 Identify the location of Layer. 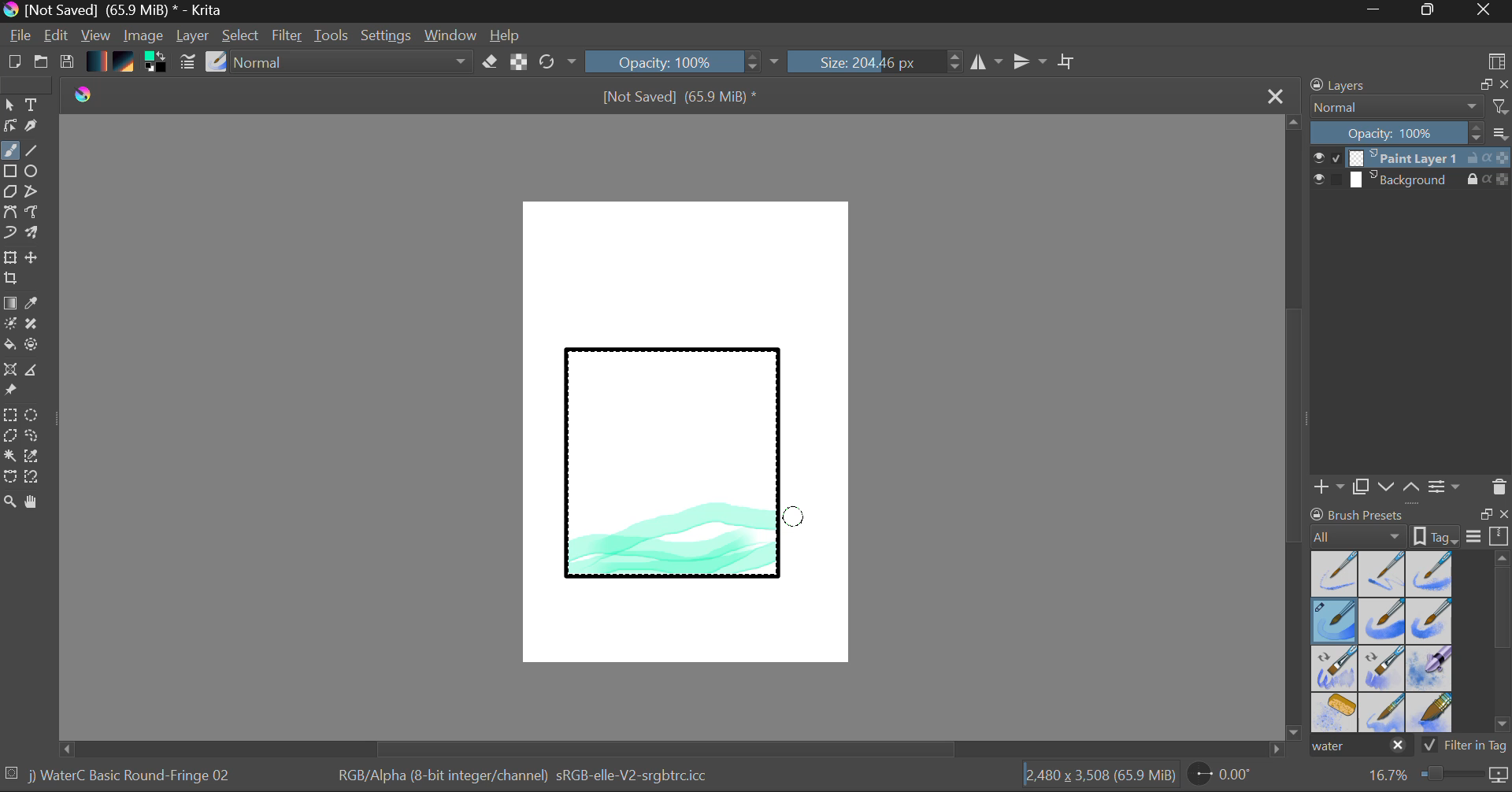
(195, 35).